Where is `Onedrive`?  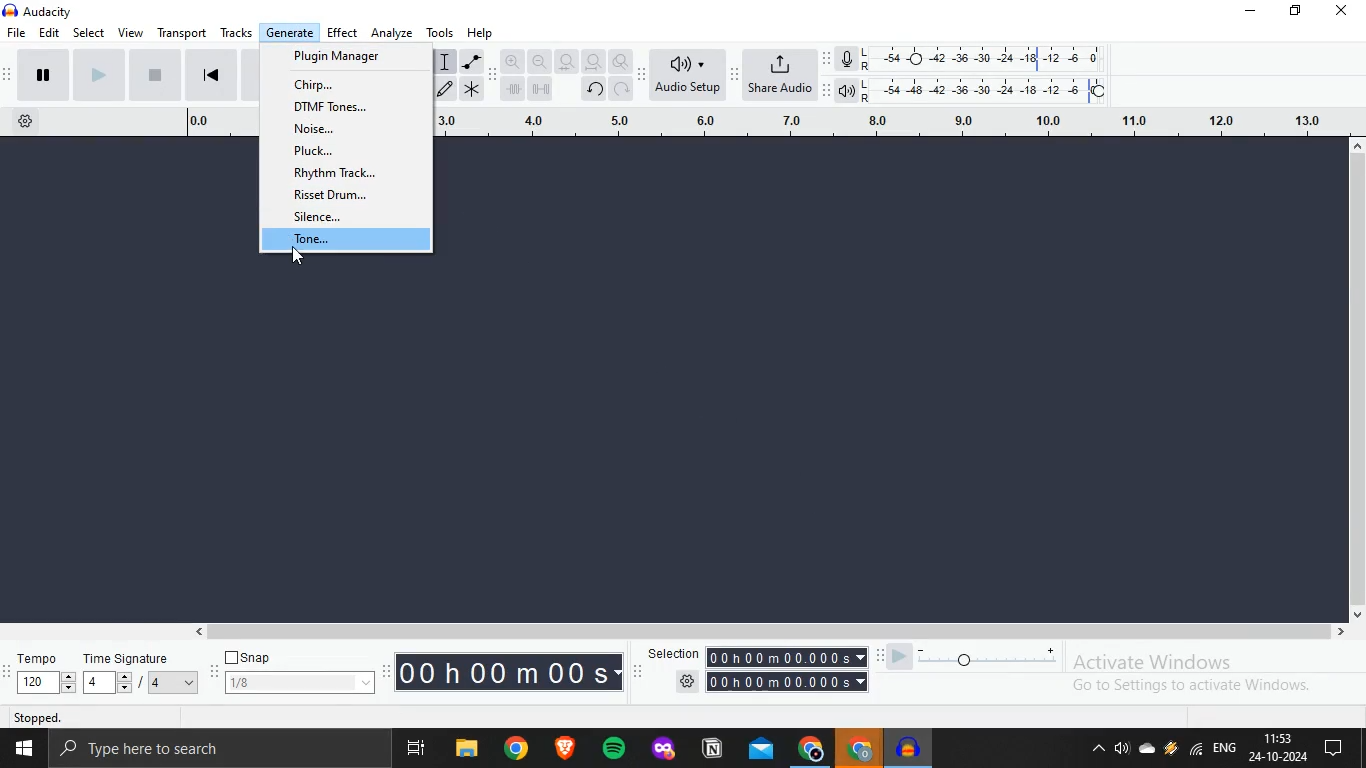 Onedrive is located at coordinates (1145, 752).